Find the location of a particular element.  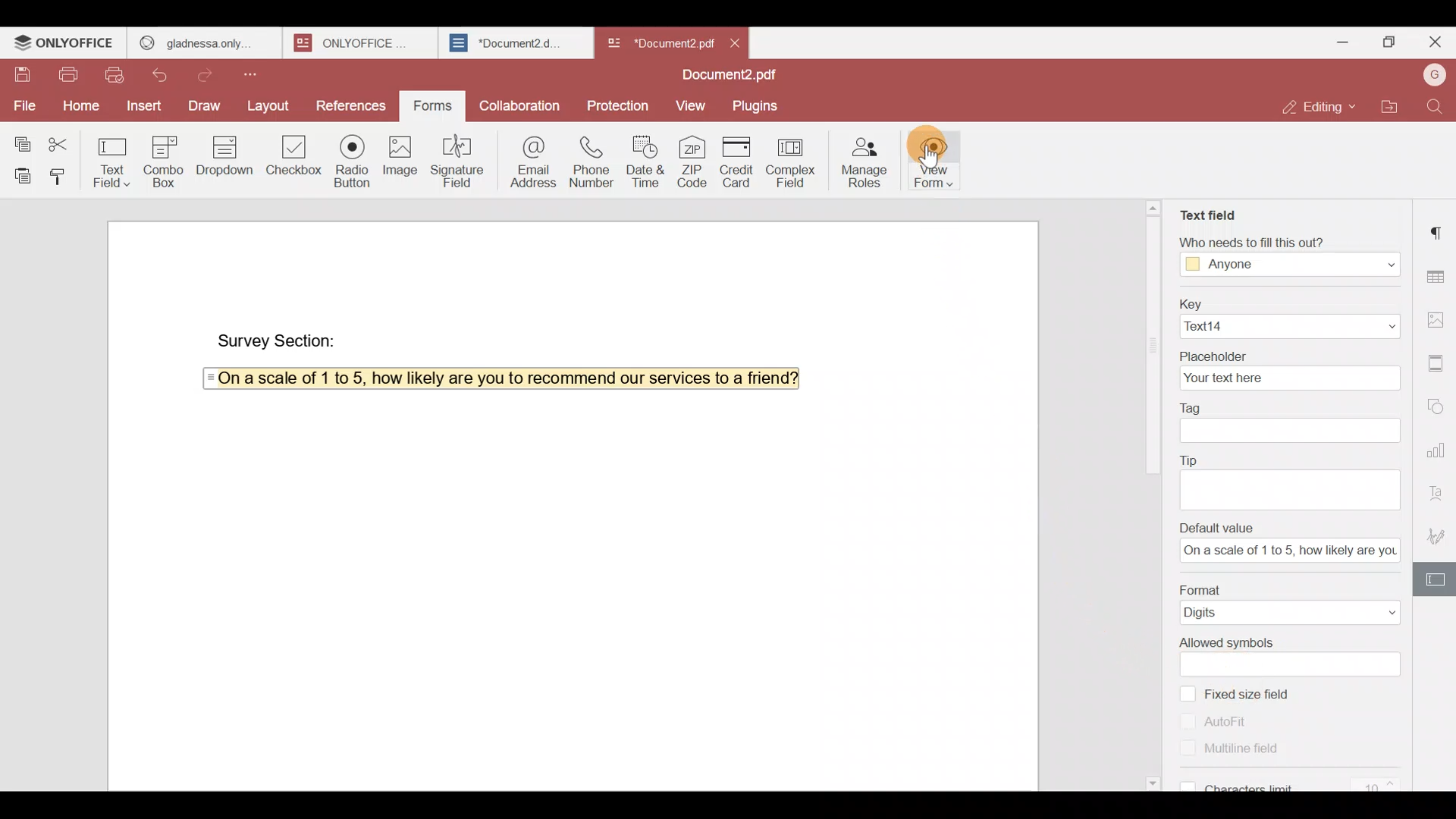

scroll bar is located at coordinates (1148, 338).